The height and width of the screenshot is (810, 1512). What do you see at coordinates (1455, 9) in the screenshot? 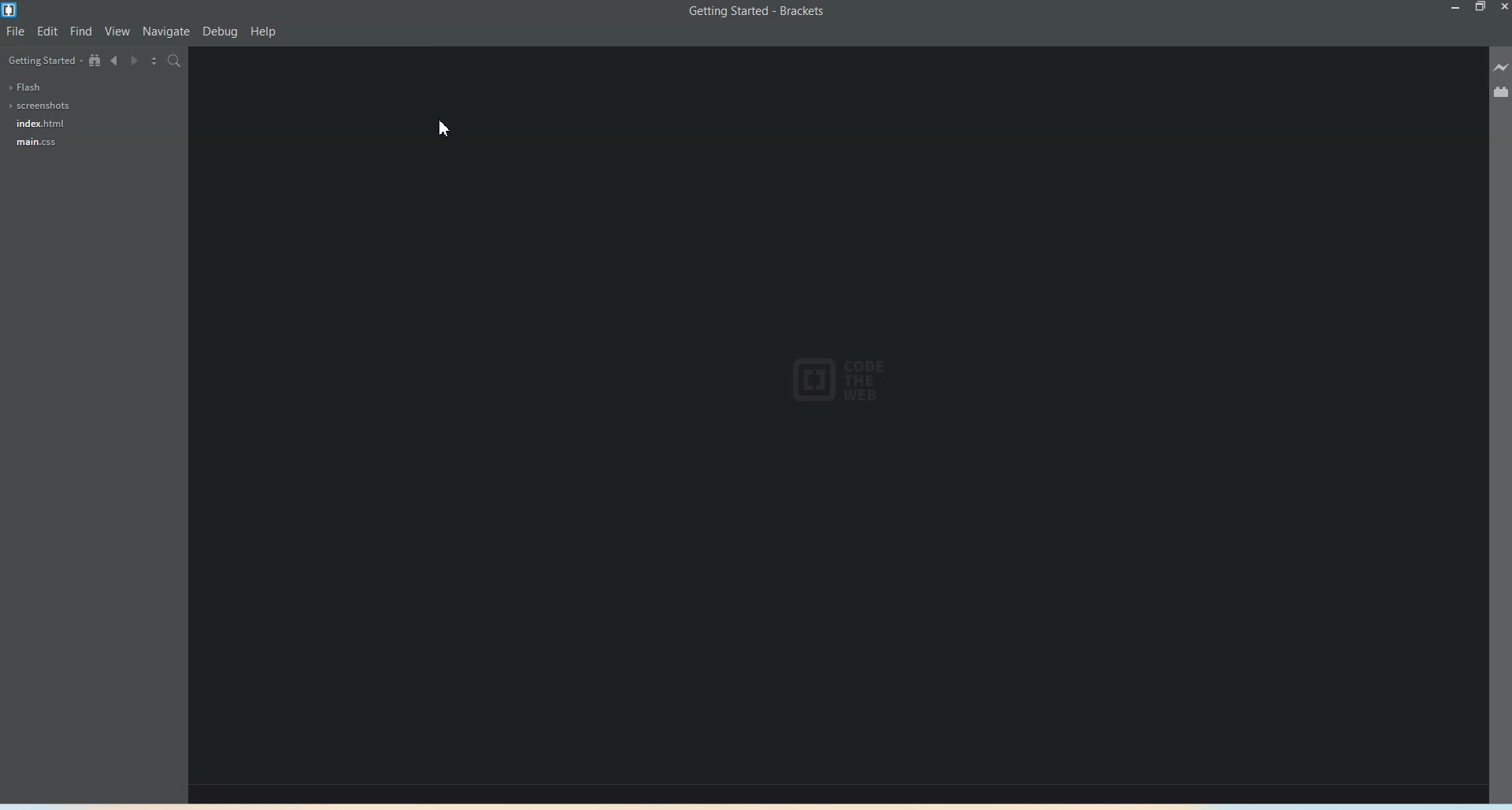
I see `Minimize` at bounding box center [1455, 9].